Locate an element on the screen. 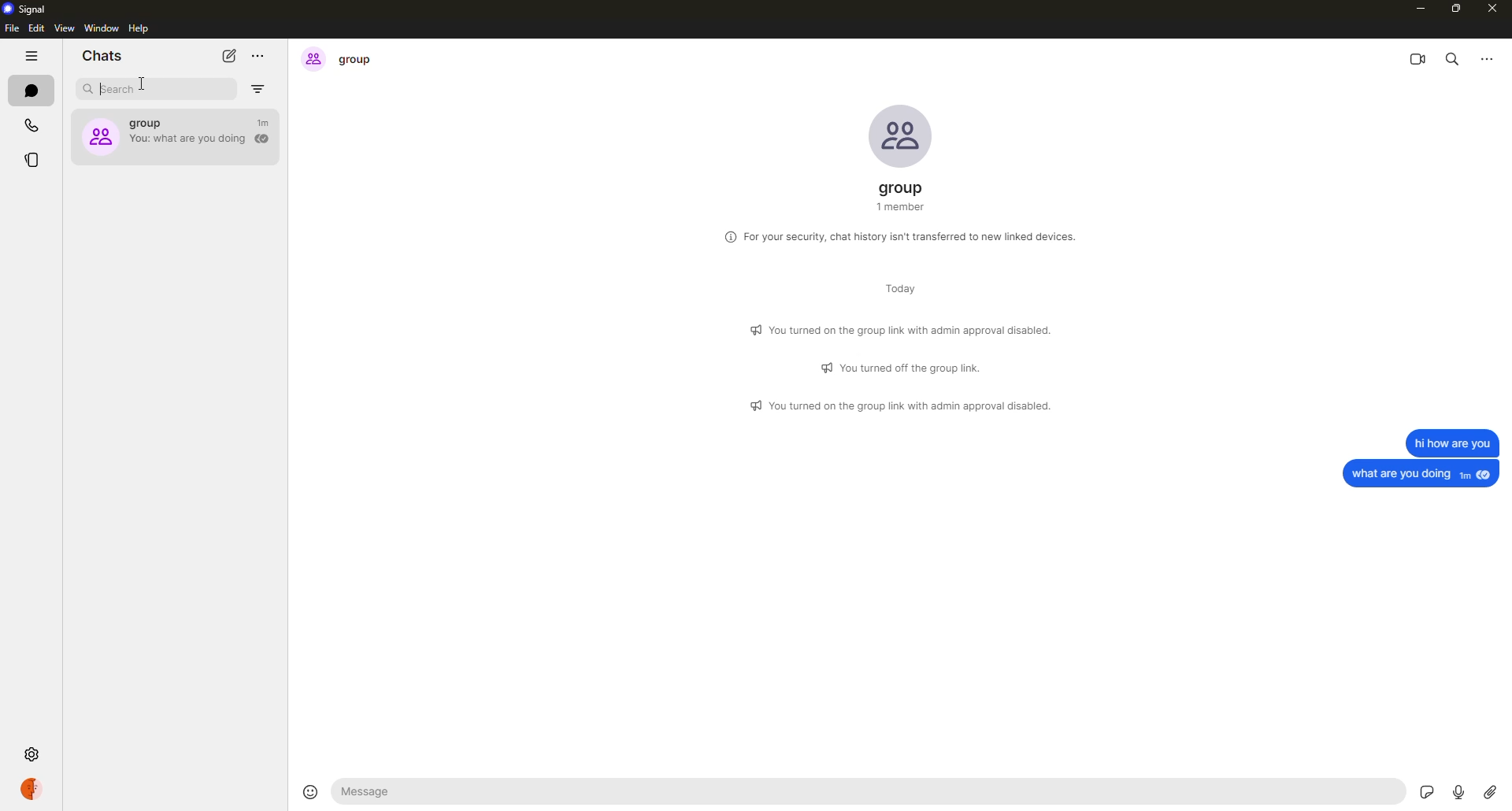  view is located at coordinates (65, 30).